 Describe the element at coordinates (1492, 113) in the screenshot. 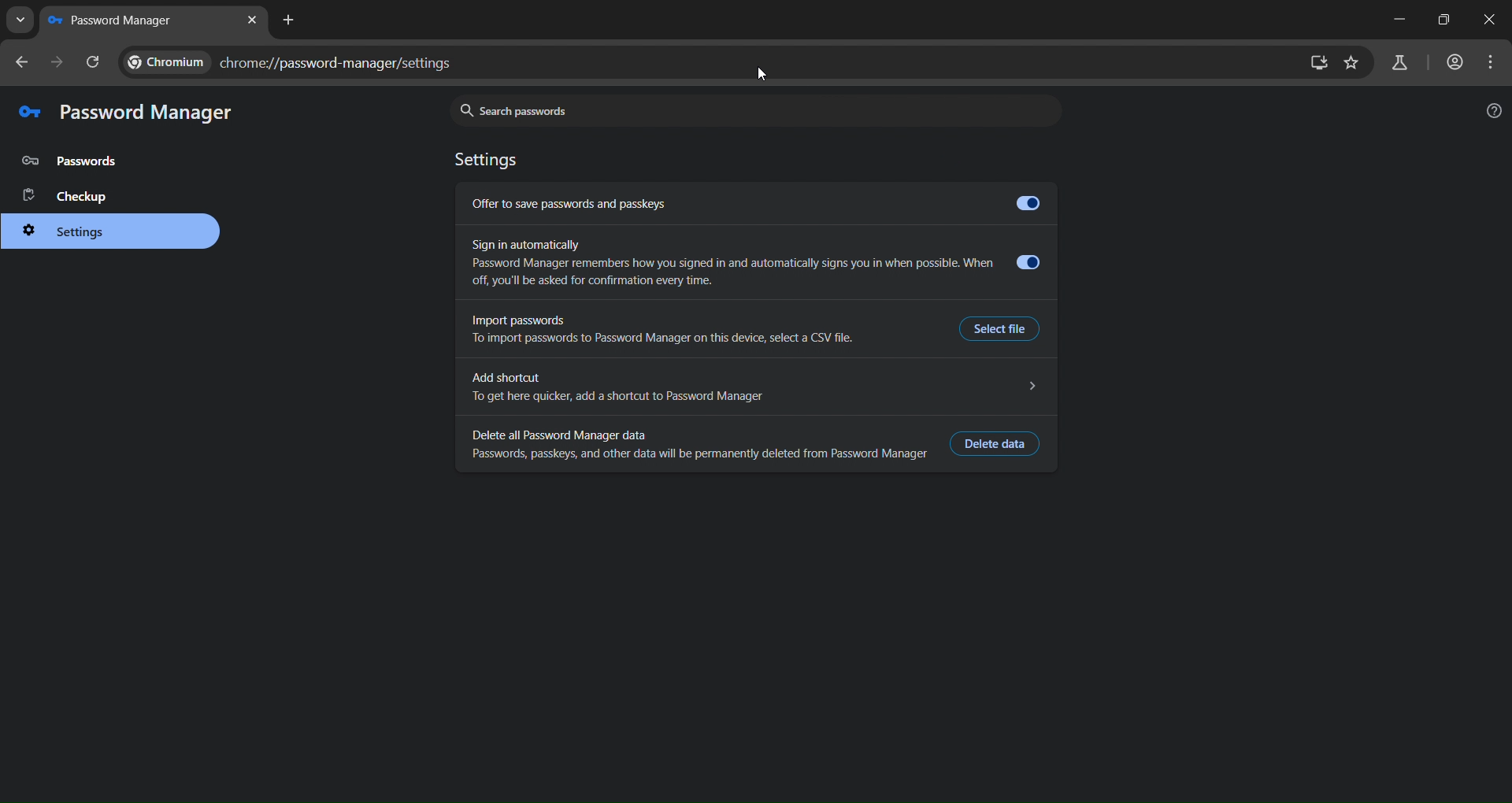

I see `help` at that location.